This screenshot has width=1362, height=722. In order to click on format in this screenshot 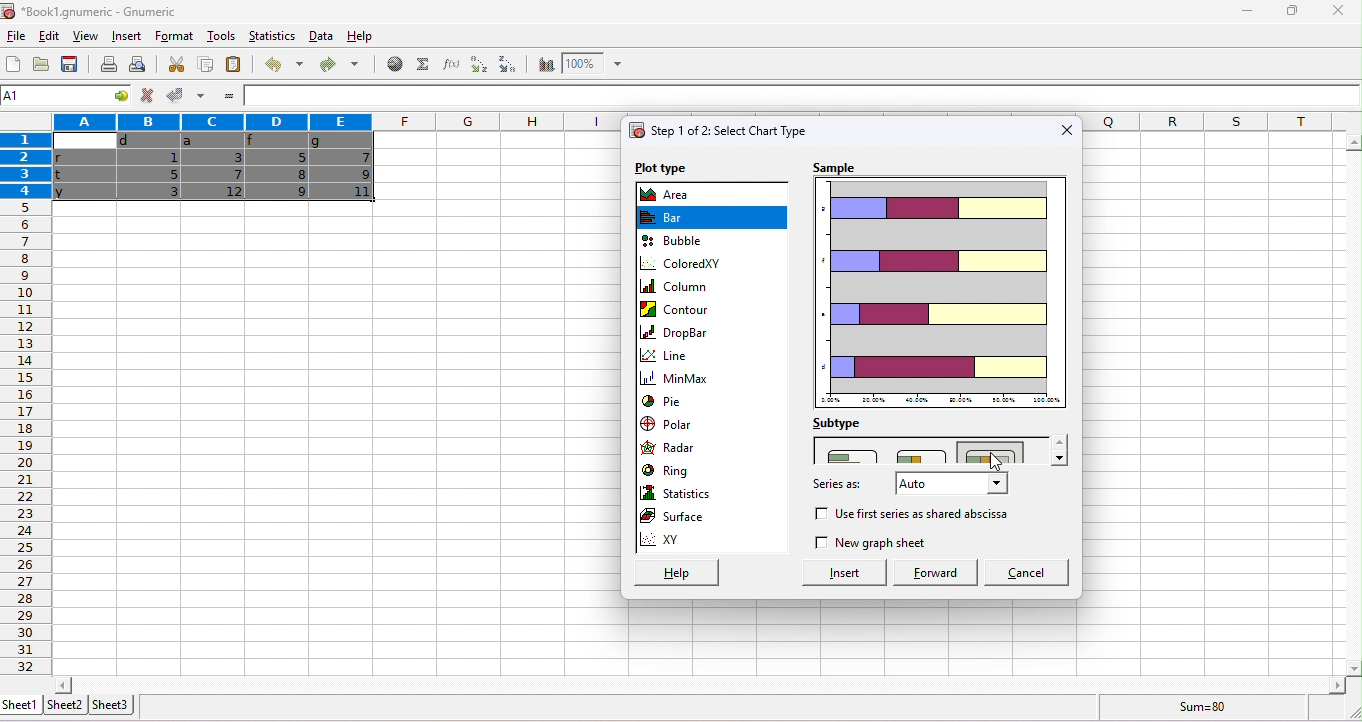, I will do `click(175, 36)`.